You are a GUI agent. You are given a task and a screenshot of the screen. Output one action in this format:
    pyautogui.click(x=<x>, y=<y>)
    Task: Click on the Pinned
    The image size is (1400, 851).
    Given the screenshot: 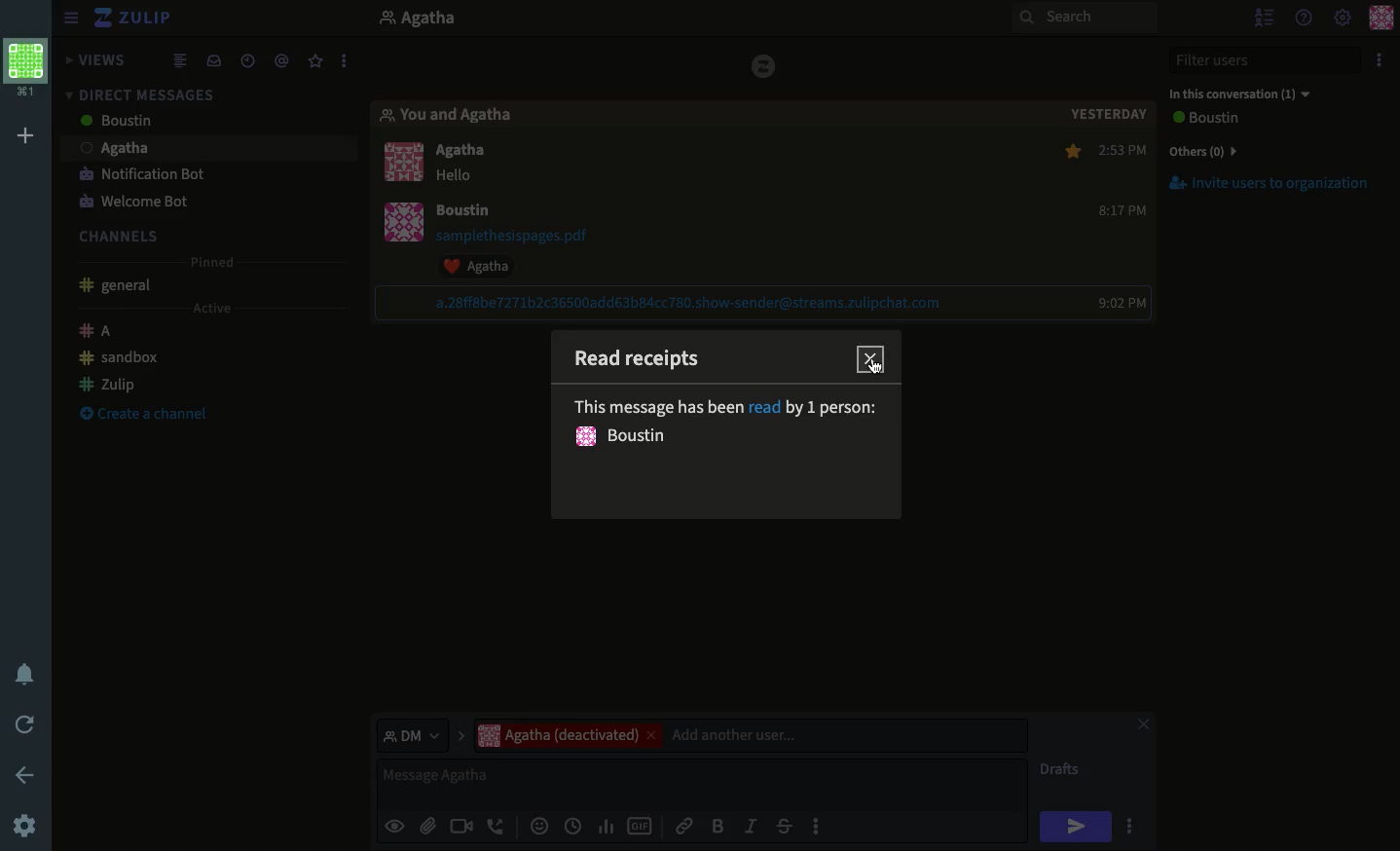 What is the action you would take?
    pyautogui.click(x=218, y=263)
    